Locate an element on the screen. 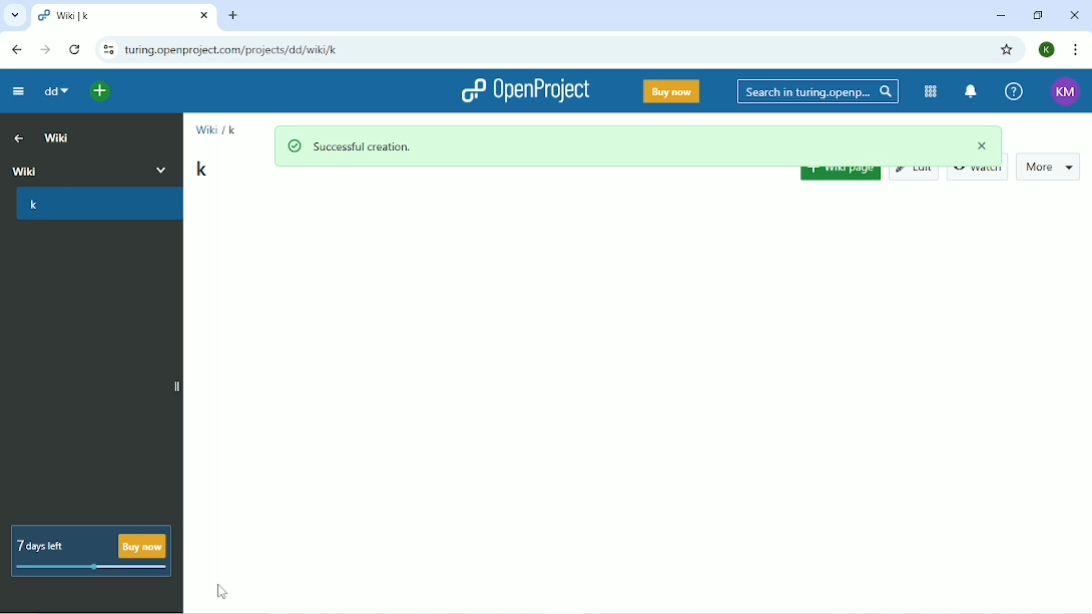 The width and height of the screenshot is (1092, 614). dd is located at coordinates (55, 93).